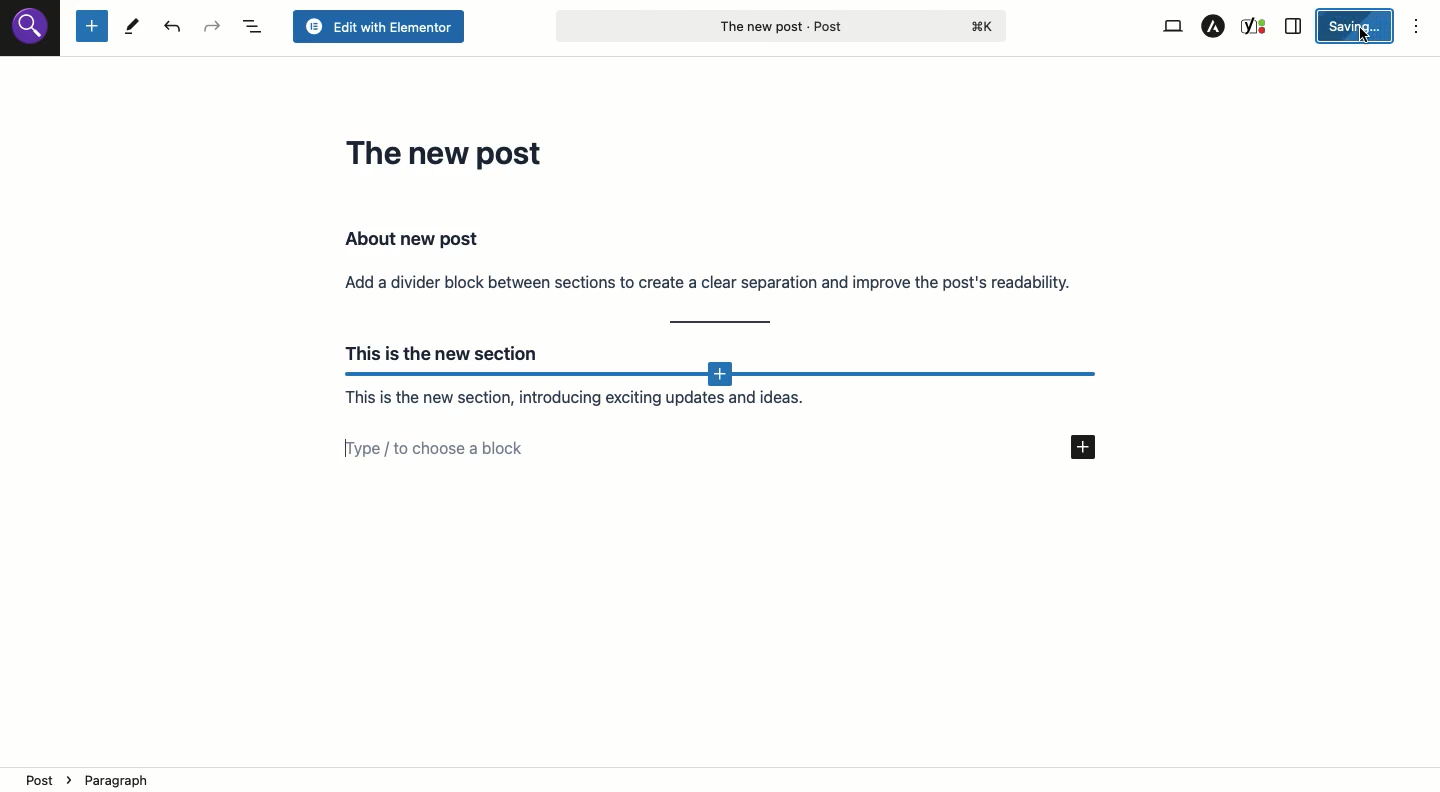 The image size is (1440, 792). I want to click on Location, so click(722, 779).